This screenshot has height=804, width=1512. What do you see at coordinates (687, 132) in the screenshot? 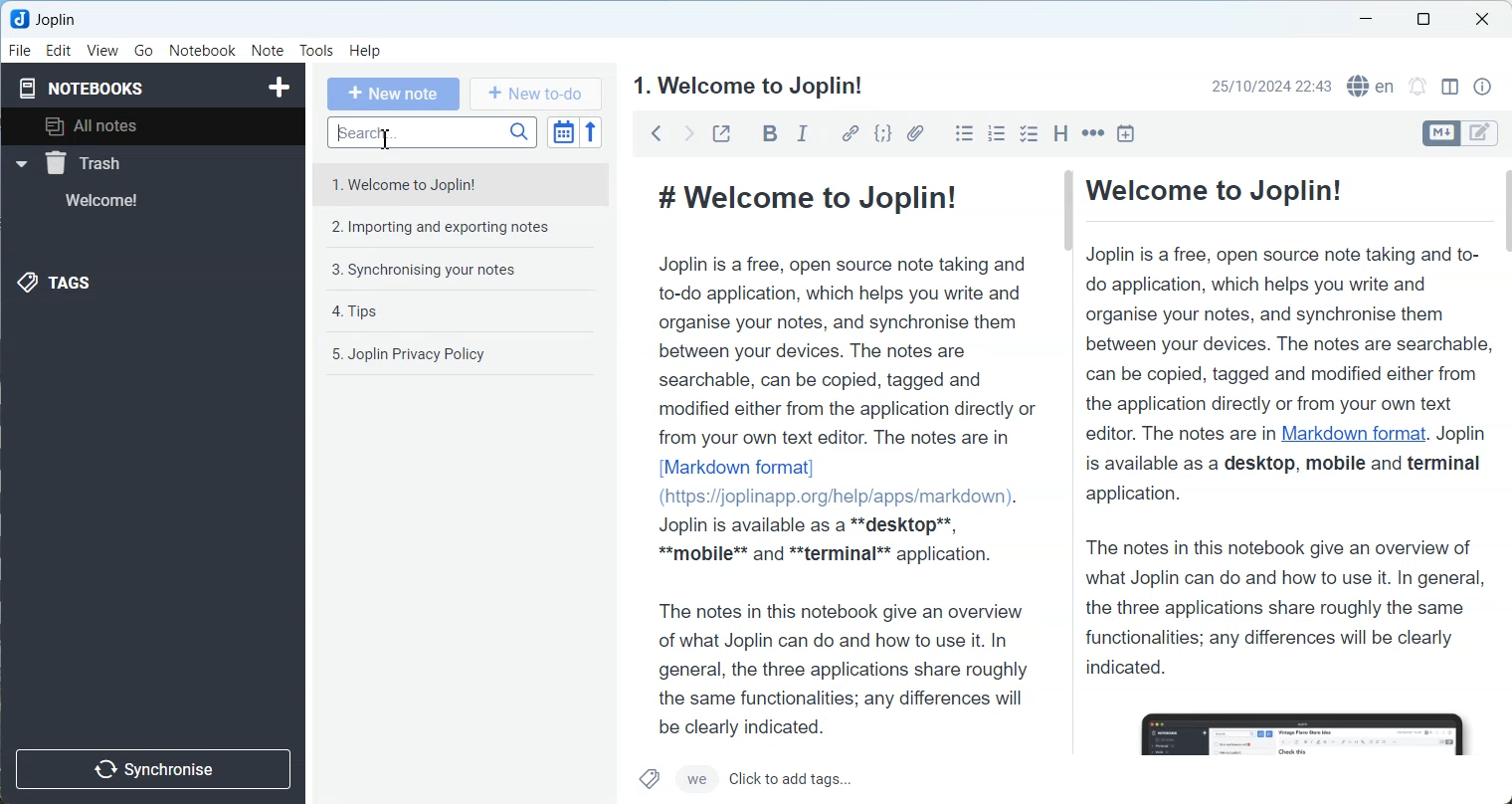
I see `Forward` at bounding box center [687, 132].